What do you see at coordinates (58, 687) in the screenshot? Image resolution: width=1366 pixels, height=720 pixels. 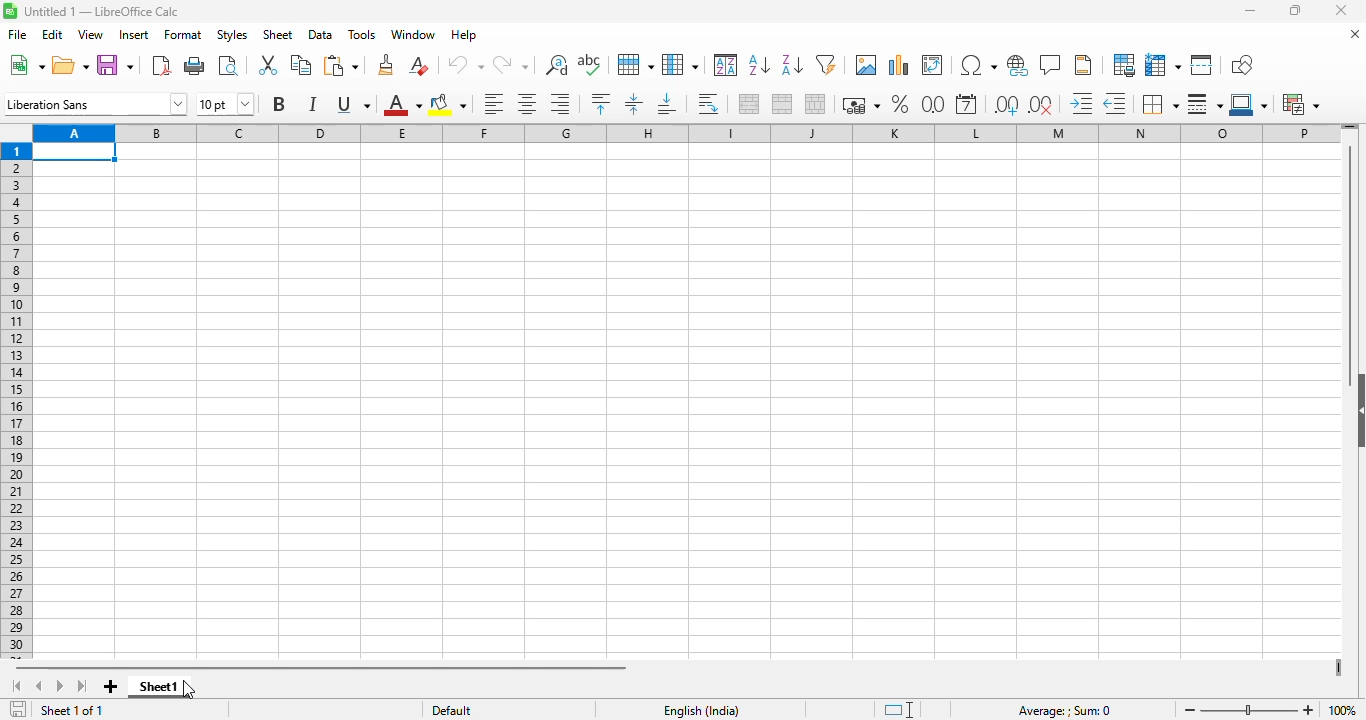 I see `scroll to next sheet` at bounding box center [58, 687].